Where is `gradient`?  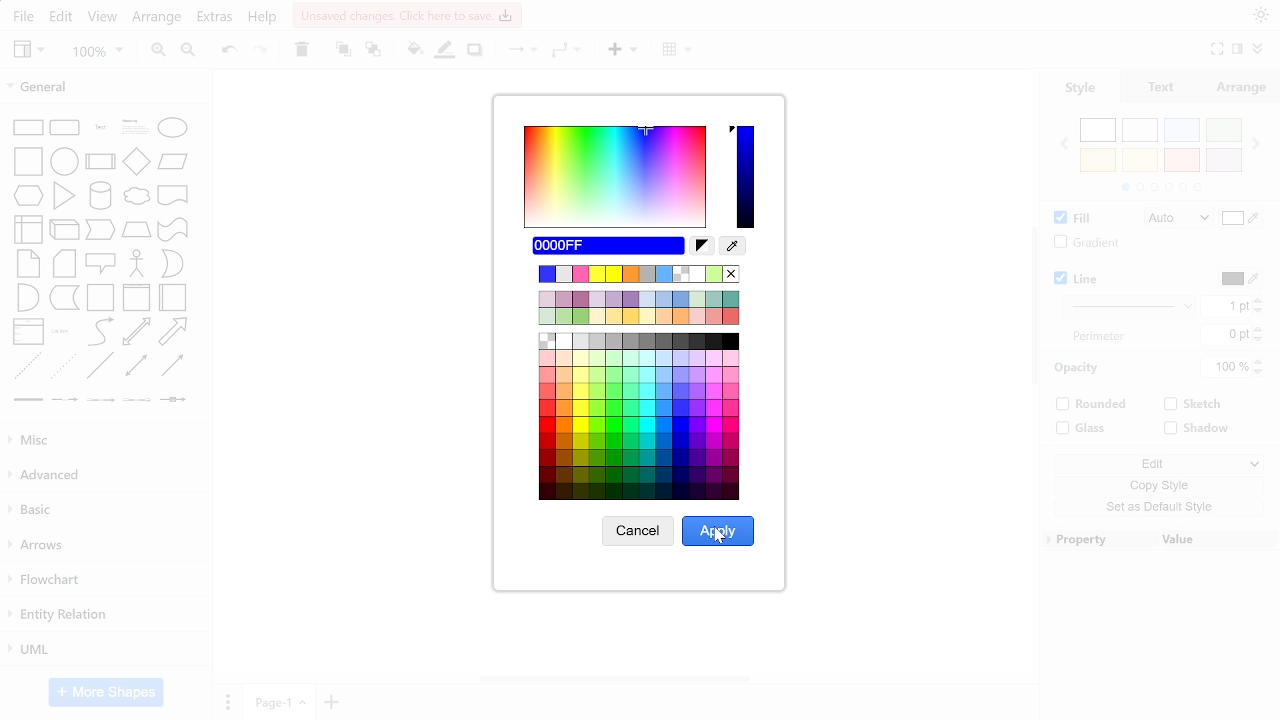
gradient is located at coordinates (1083, 243).